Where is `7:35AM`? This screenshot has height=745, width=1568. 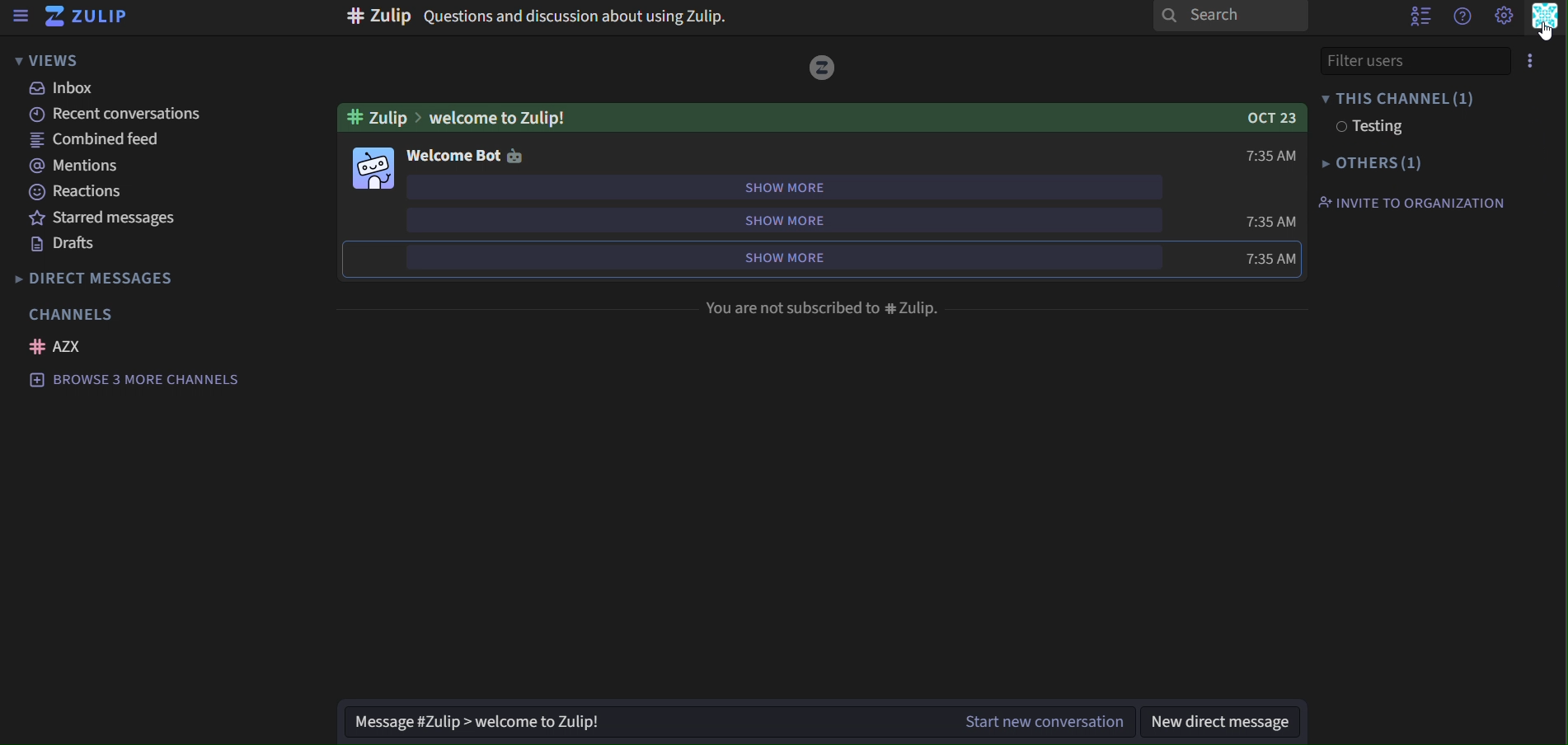 7:35AM is located at coordinates (1263, 222).